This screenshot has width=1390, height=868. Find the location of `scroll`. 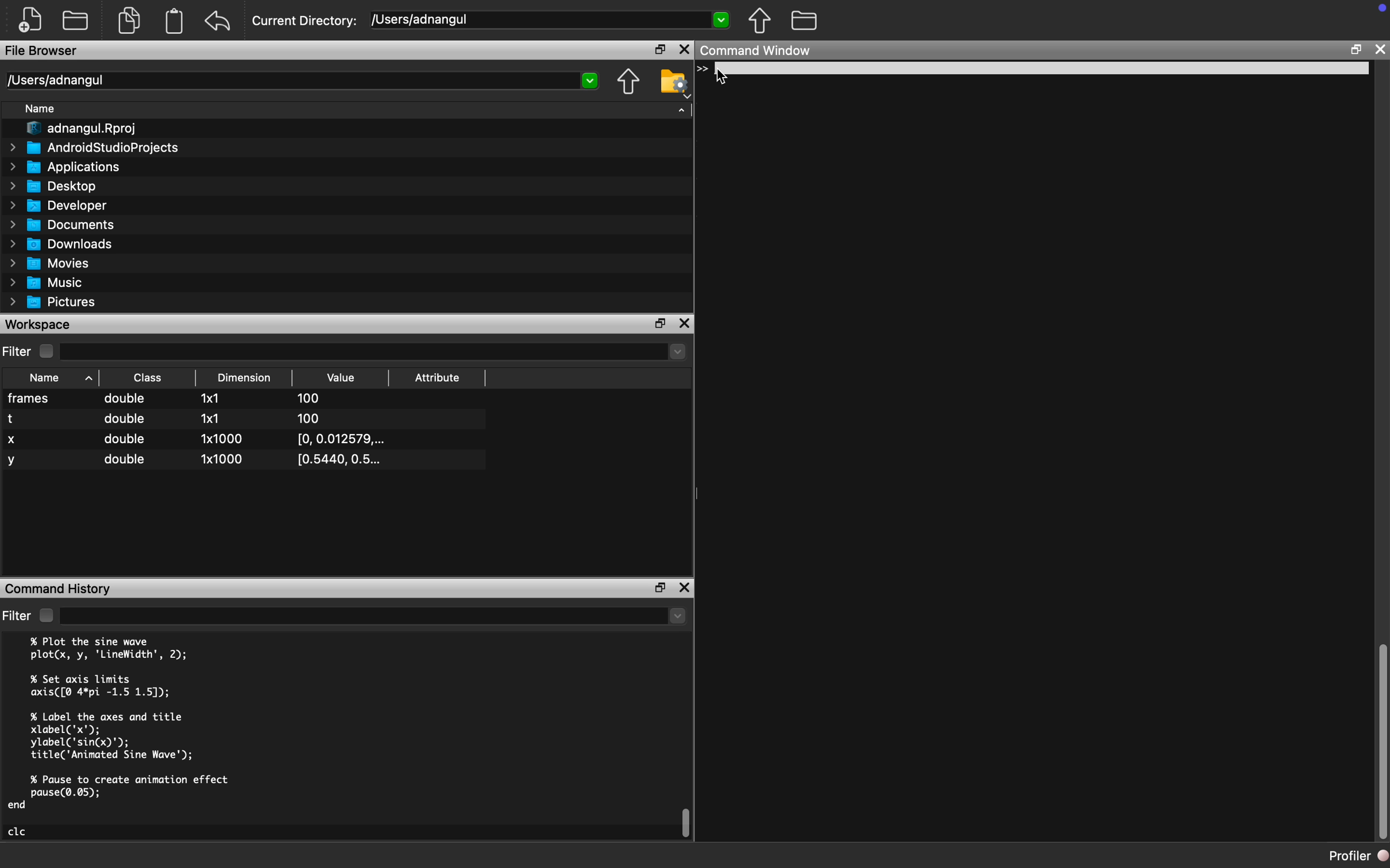

scroll is located at coordinates (687, 822).